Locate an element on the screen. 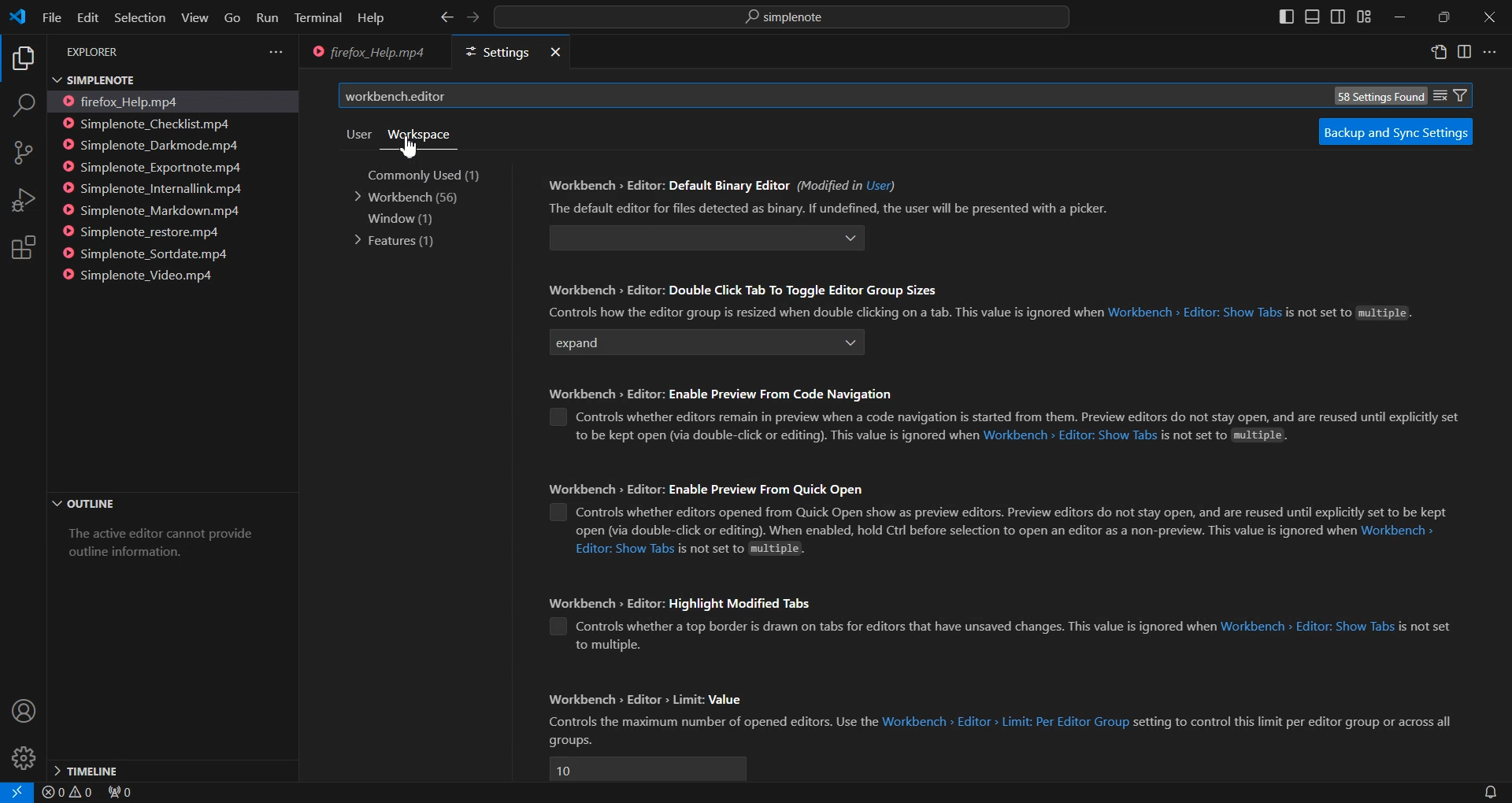 This screenshot has height=803, width=1512. groups. is located at coordinates (569, 741).